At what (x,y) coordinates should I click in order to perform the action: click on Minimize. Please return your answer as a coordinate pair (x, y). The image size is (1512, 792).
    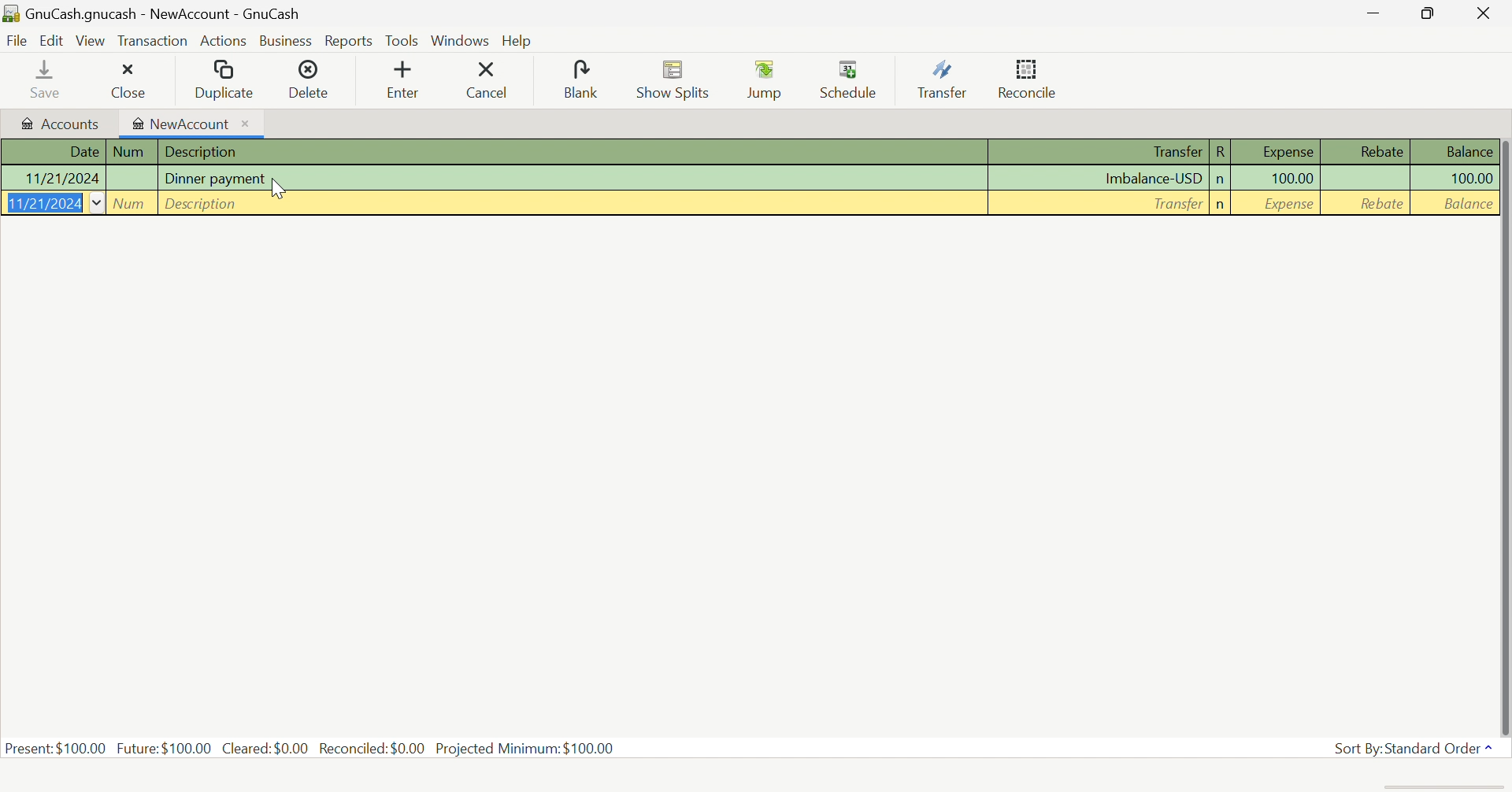
    Looking at the image, I should click on (1369, 15).